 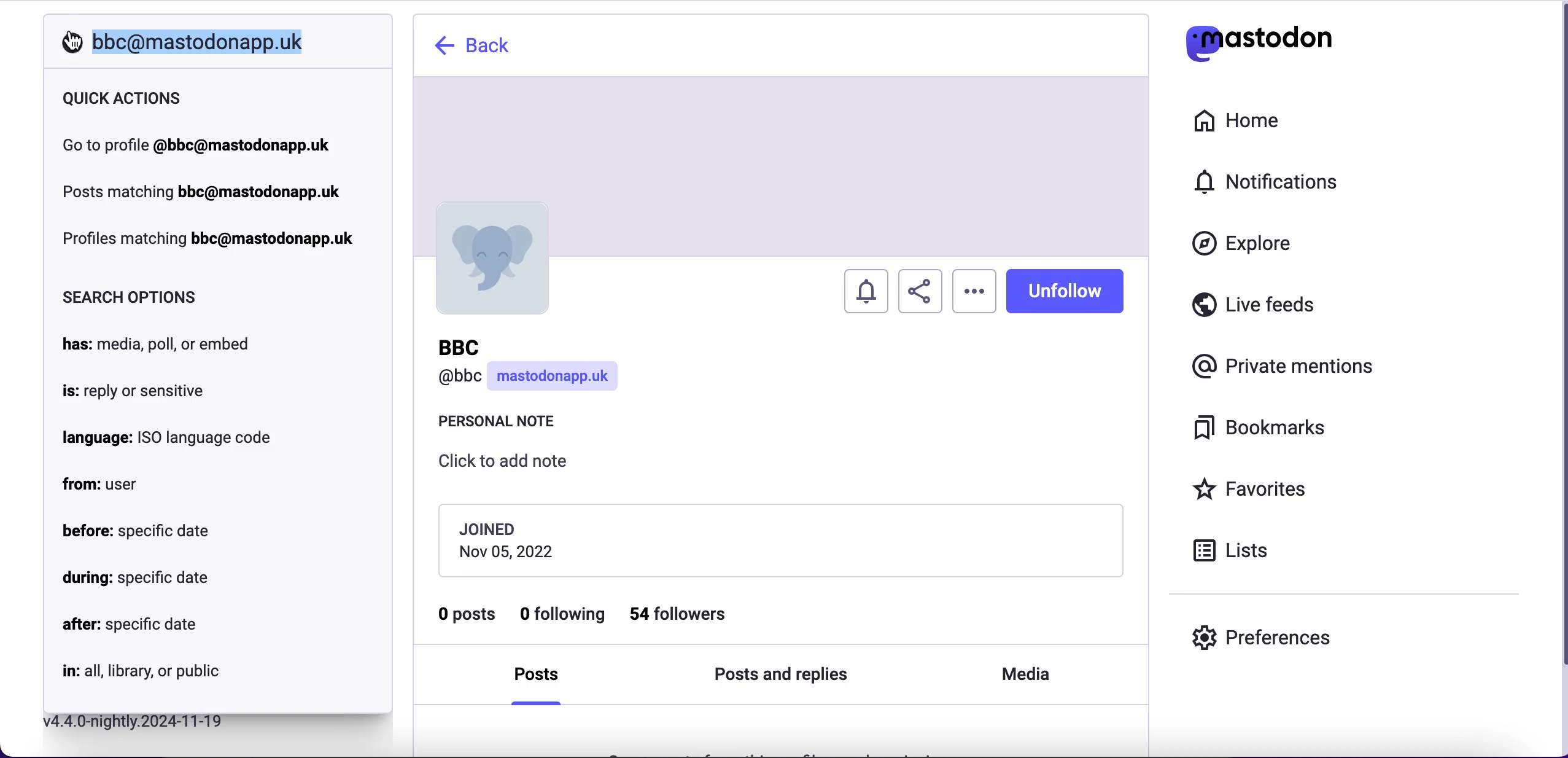 I want to click on profiles matching, so click(x=212, y=240).